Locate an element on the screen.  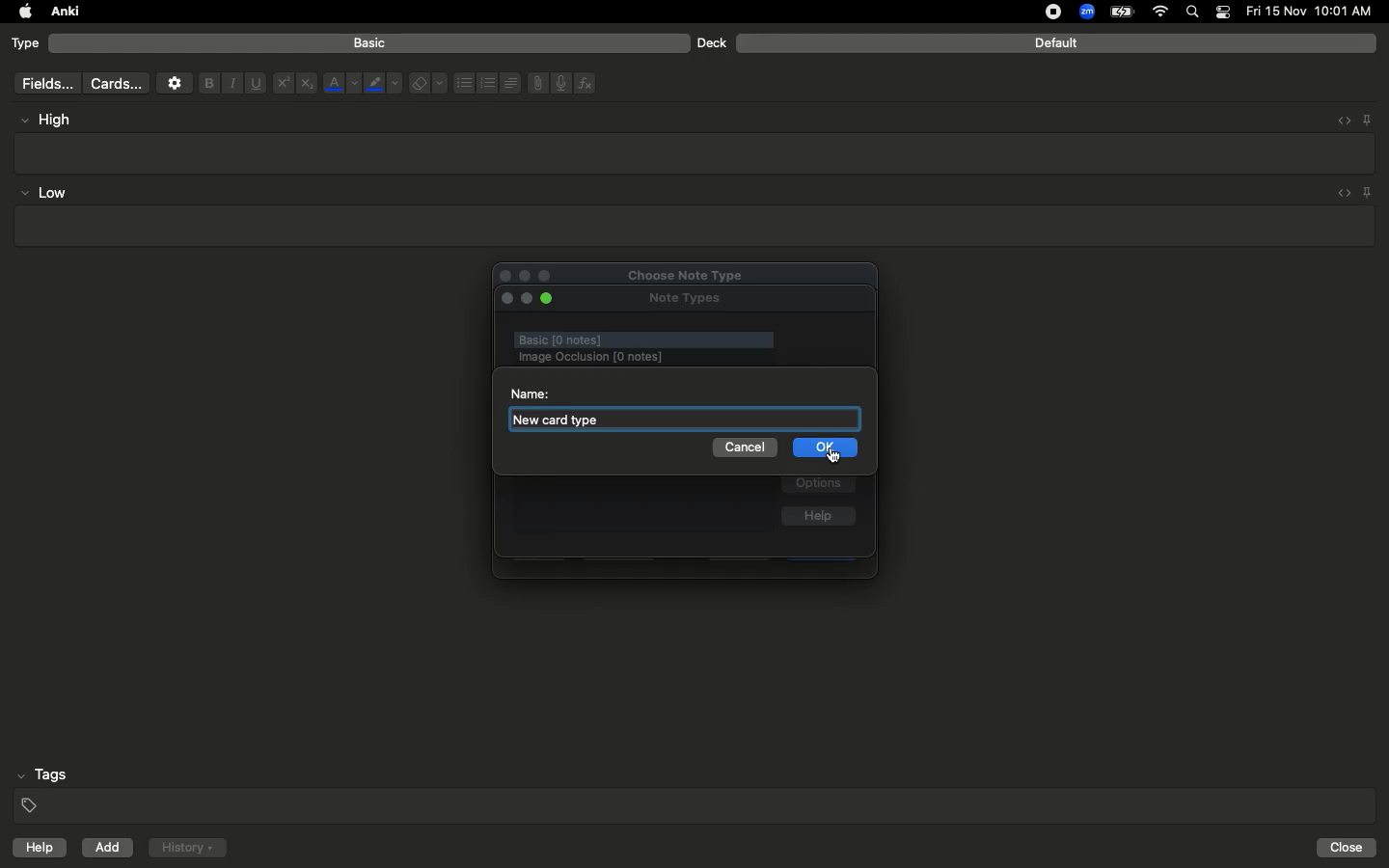
Function is located at coordinates (586, 83).